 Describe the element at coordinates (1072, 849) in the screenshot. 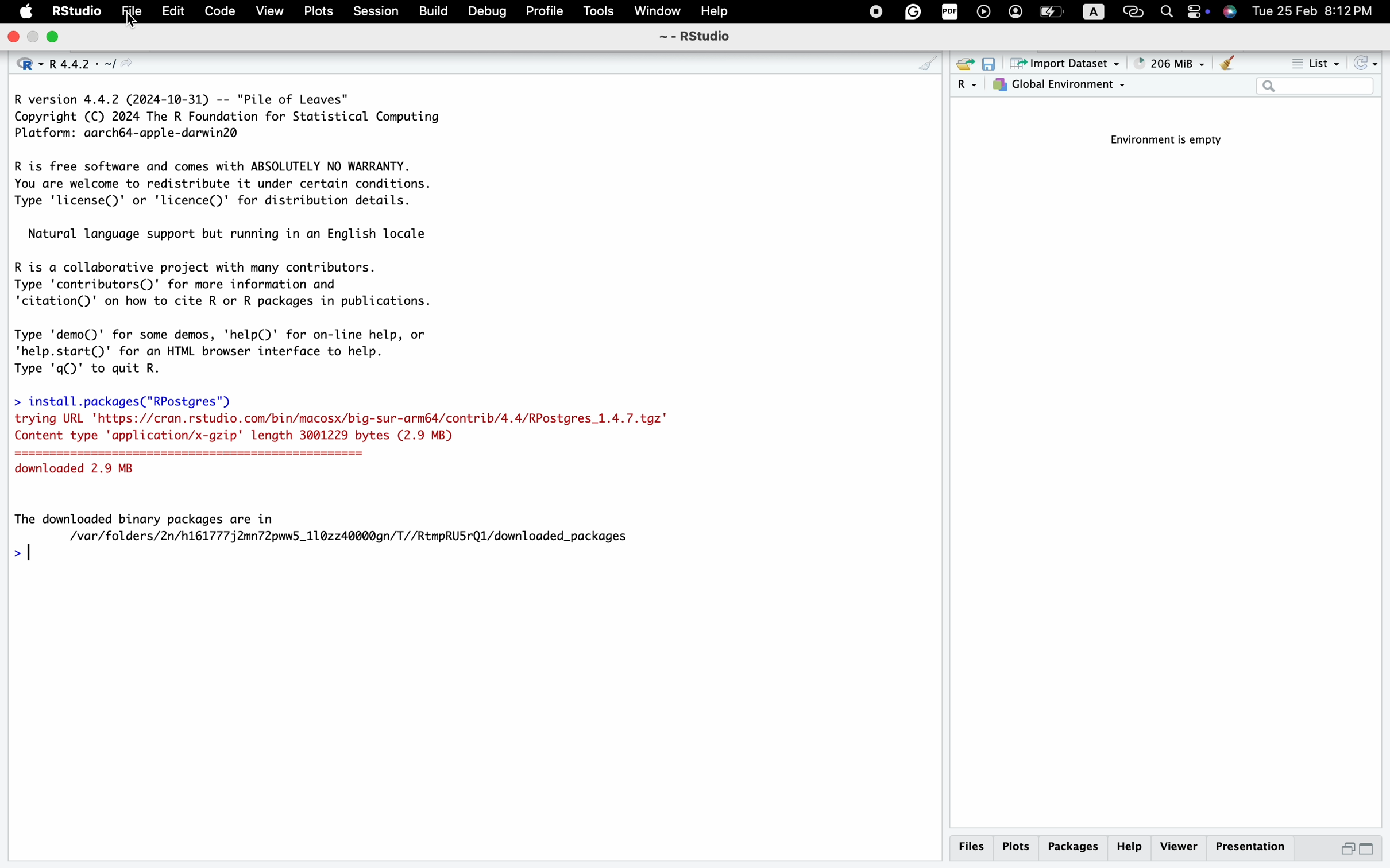

I see `packages` at that location.